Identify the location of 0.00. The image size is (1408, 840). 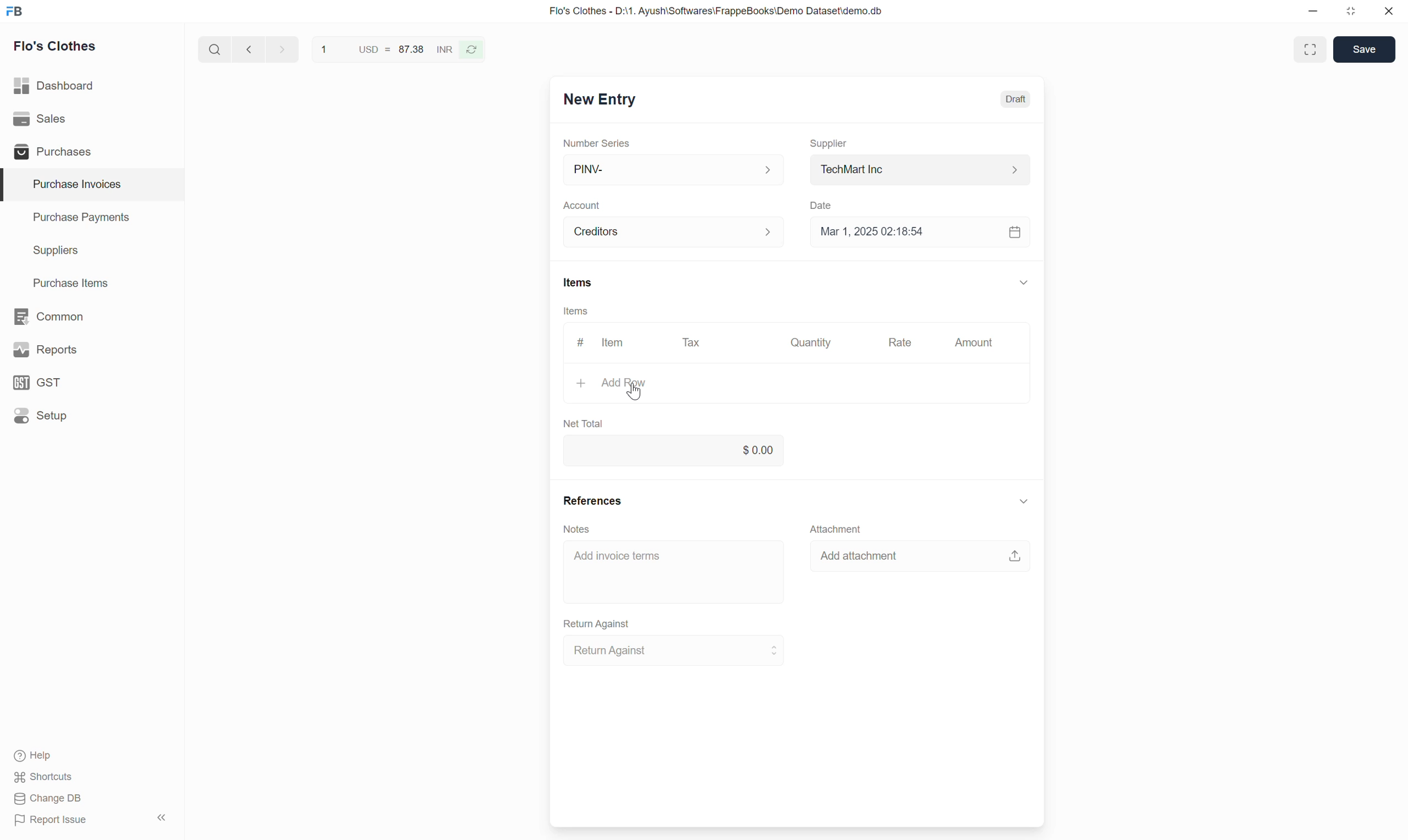
(674, 451).